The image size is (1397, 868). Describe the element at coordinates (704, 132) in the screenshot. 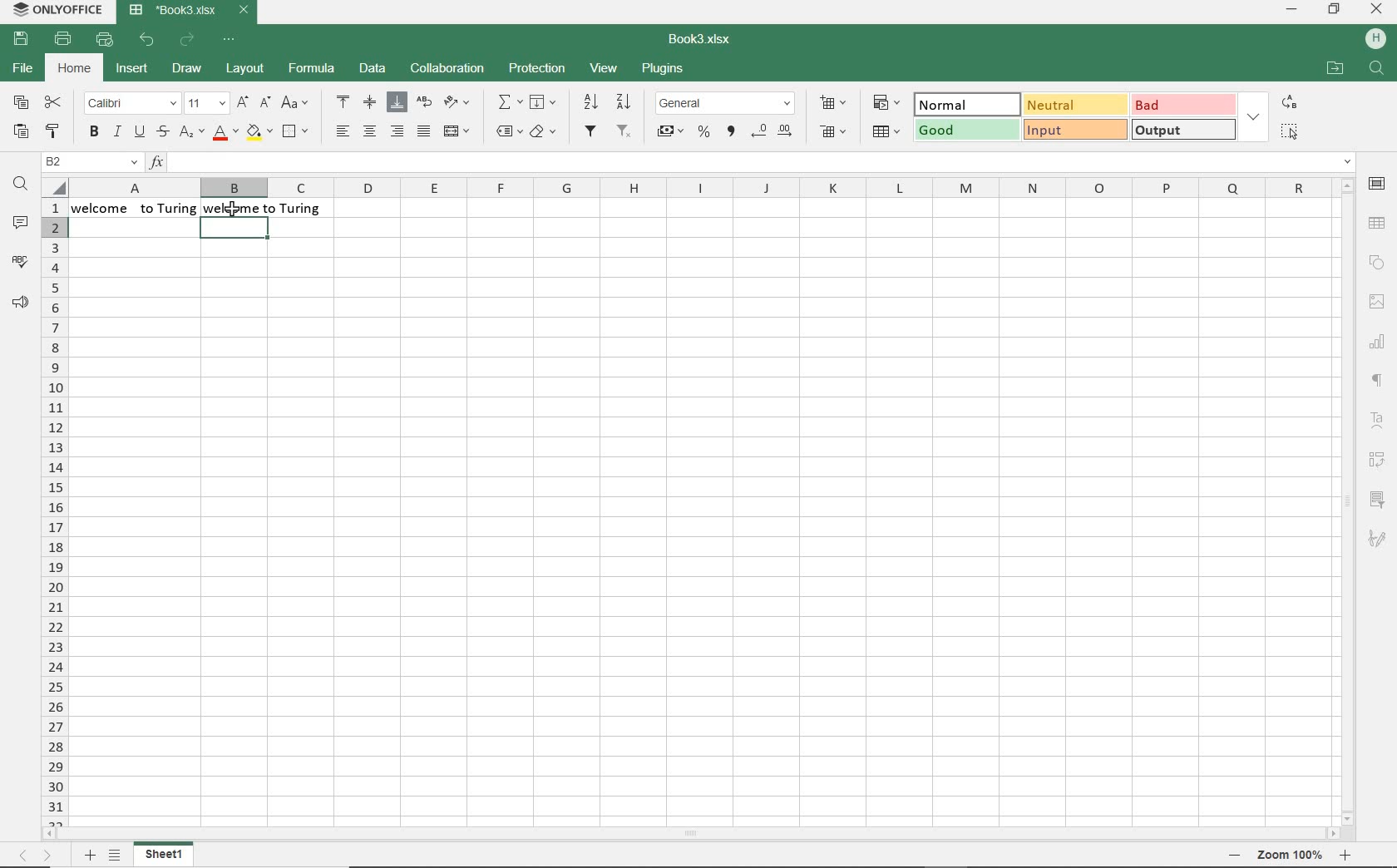

I see `percent style` at that location.